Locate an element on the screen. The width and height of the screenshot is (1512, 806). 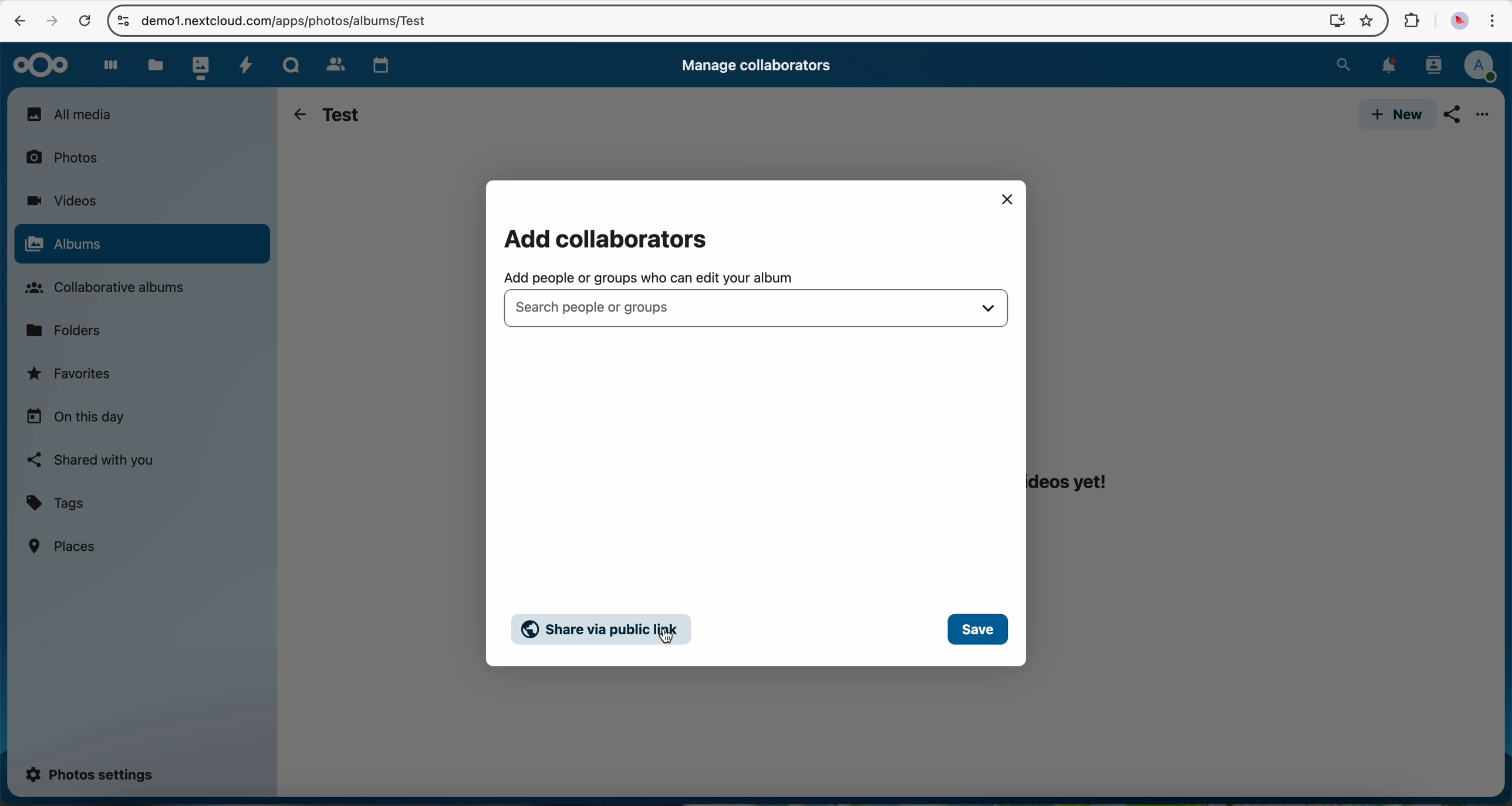
favorites is located at coordinates (71, 377).